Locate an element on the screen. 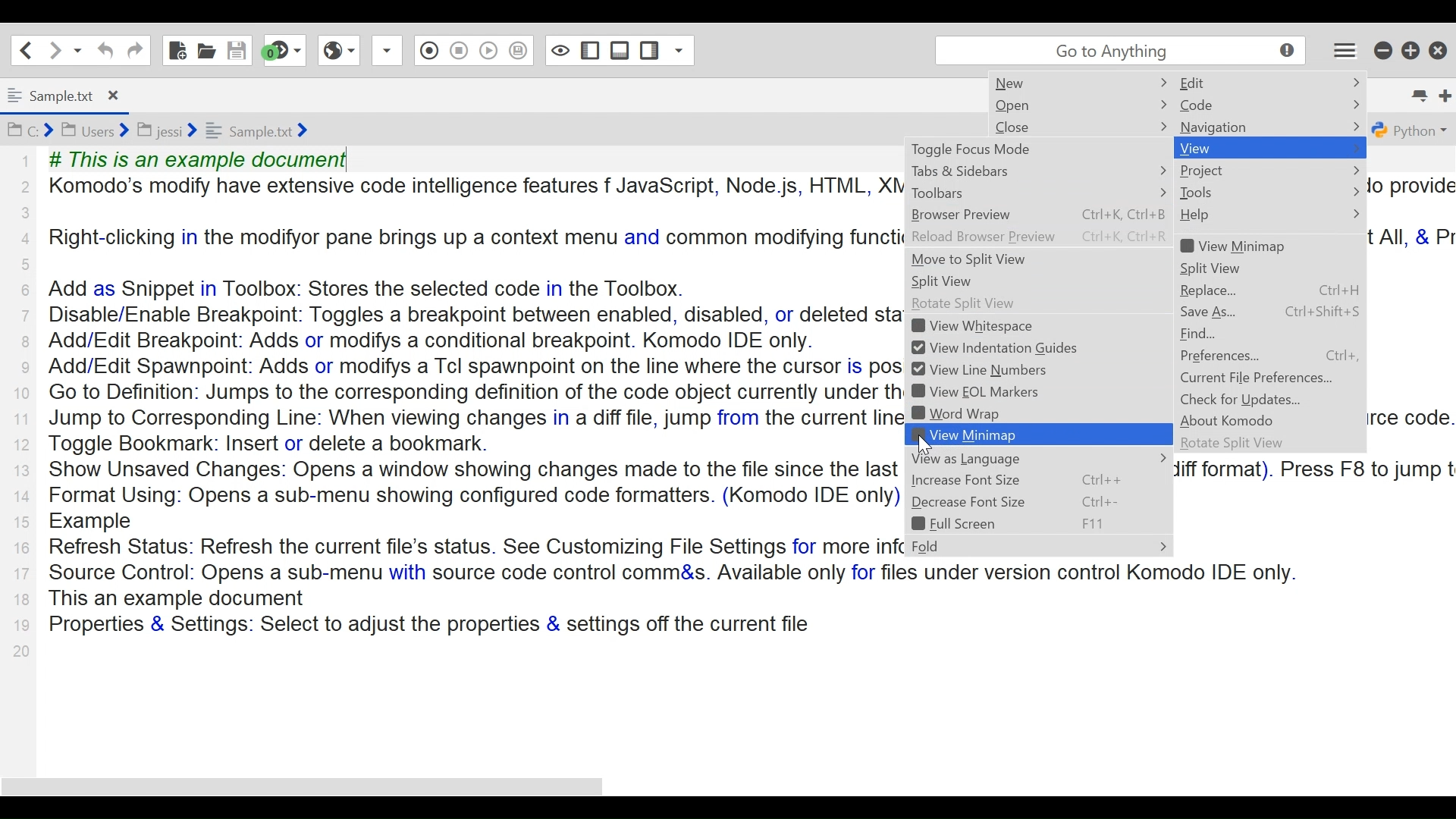 This screenshot has width=1456, height=819. Open is located at coordinates (1028, 106).